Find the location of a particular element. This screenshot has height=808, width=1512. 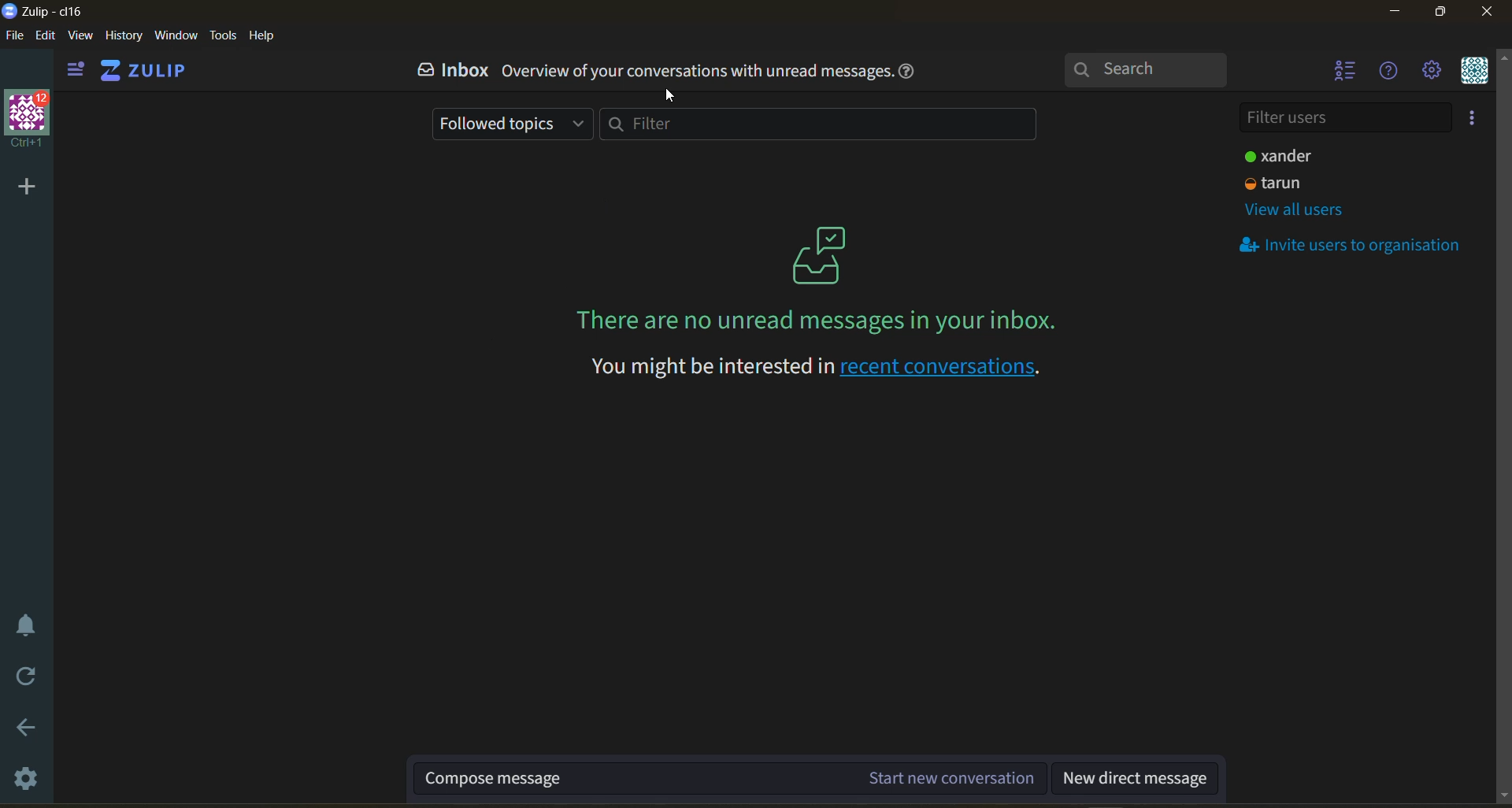

user is located at coordinates (1280, 152).